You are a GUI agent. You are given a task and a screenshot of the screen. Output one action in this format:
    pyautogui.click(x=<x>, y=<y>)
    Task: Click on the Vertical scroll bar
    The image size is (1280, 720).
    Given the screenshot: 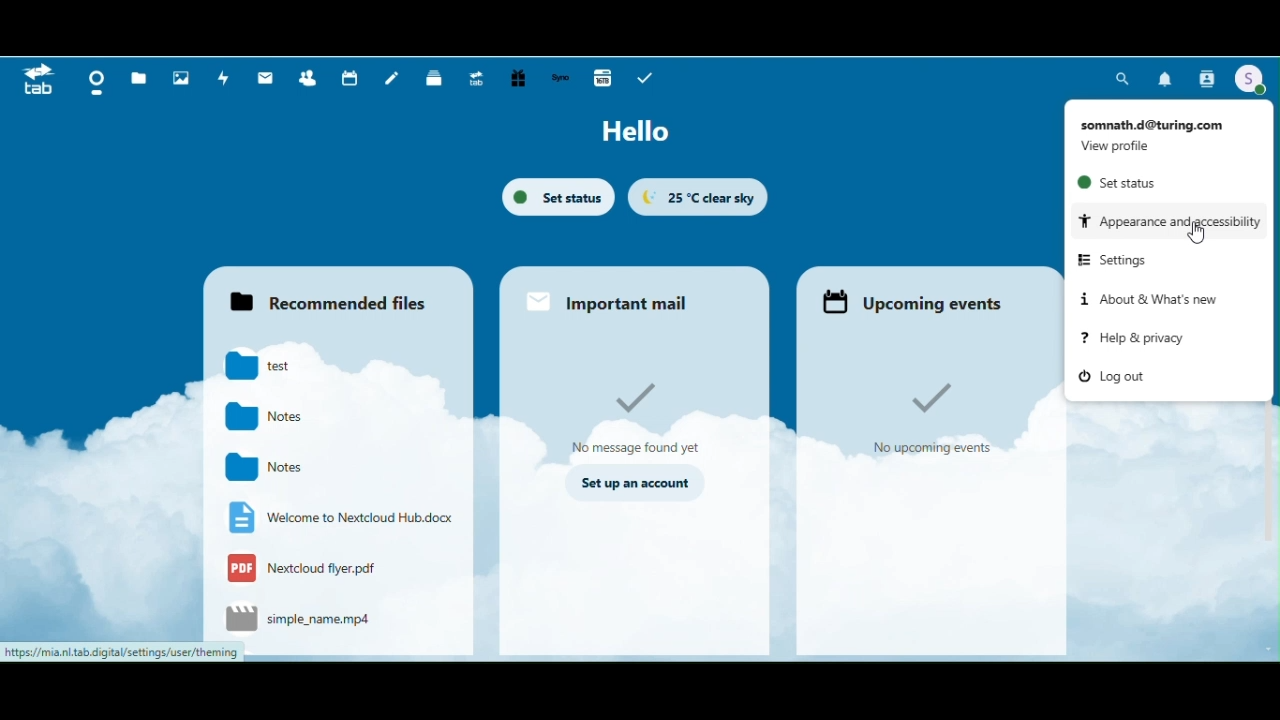 What is the action you would take?
    pyautogui.click(x=1272, y=256)
    